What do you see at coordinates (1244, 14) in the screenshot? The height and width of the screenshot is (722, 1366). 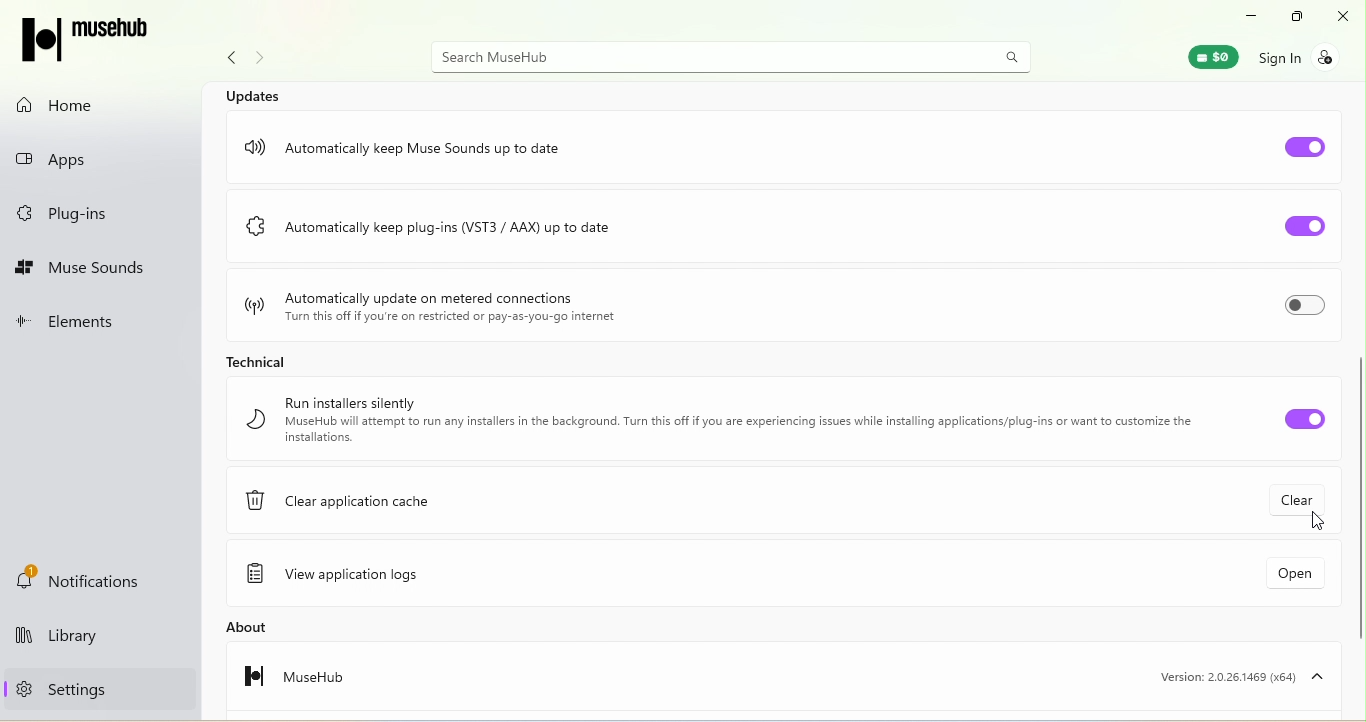 I see `Minimize` at bounding box center [1244, 14].